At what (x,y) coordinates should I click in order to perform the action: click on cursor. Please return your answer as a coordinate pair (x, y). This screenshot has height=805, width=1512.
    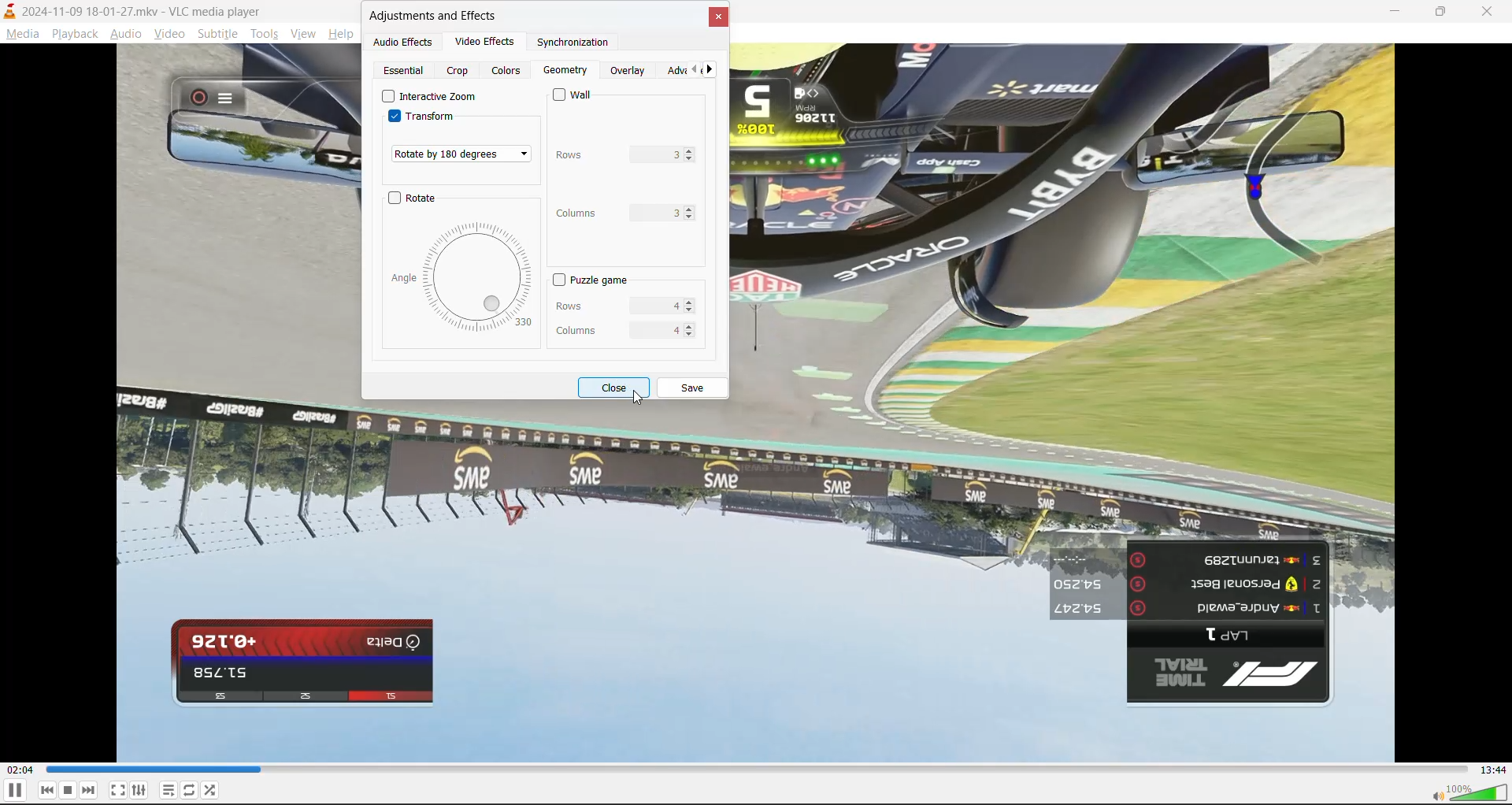
    Looking at the image, I should click on (638, 398).